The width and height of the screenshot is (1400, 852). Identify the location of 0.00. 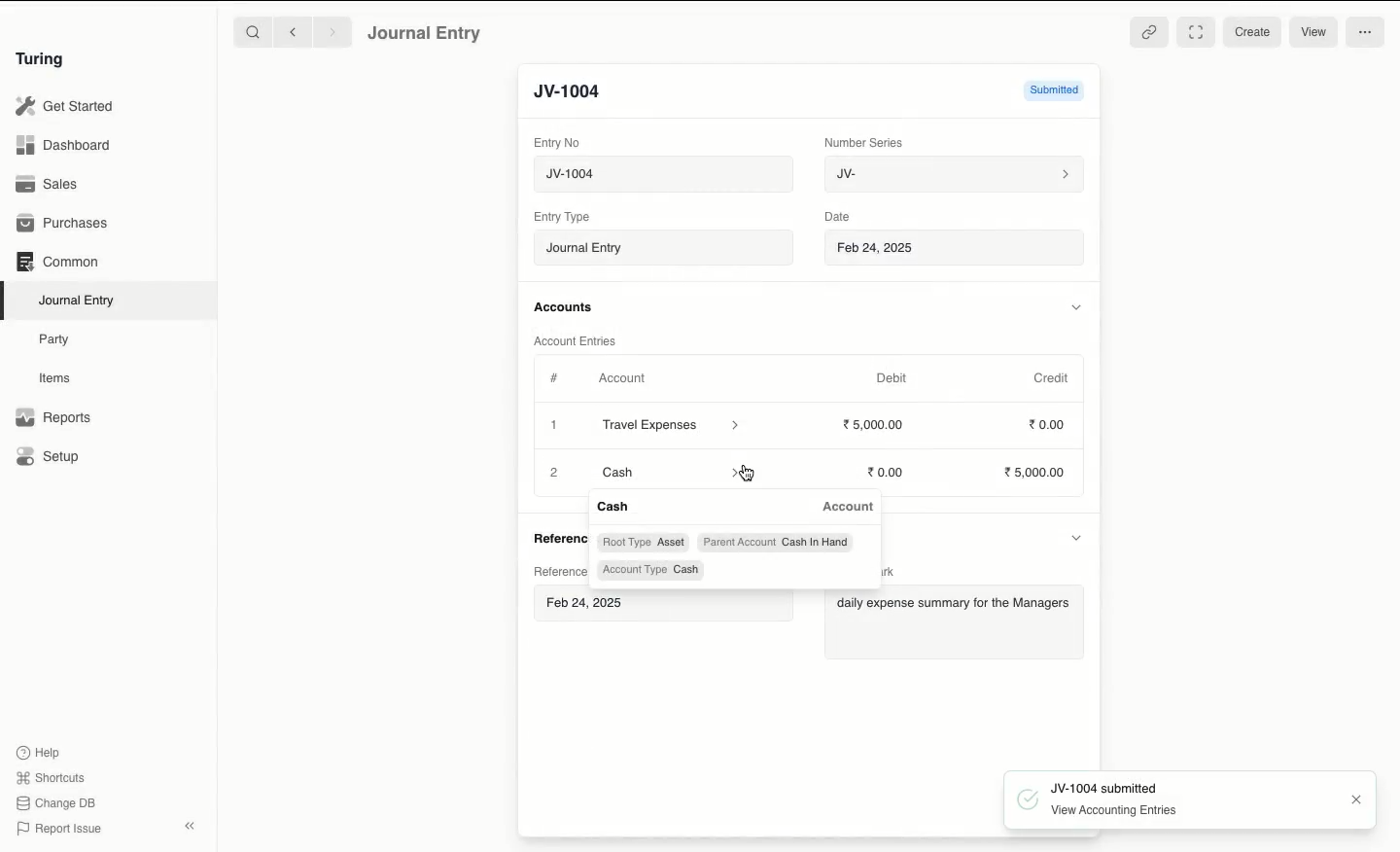
(1048, 423).